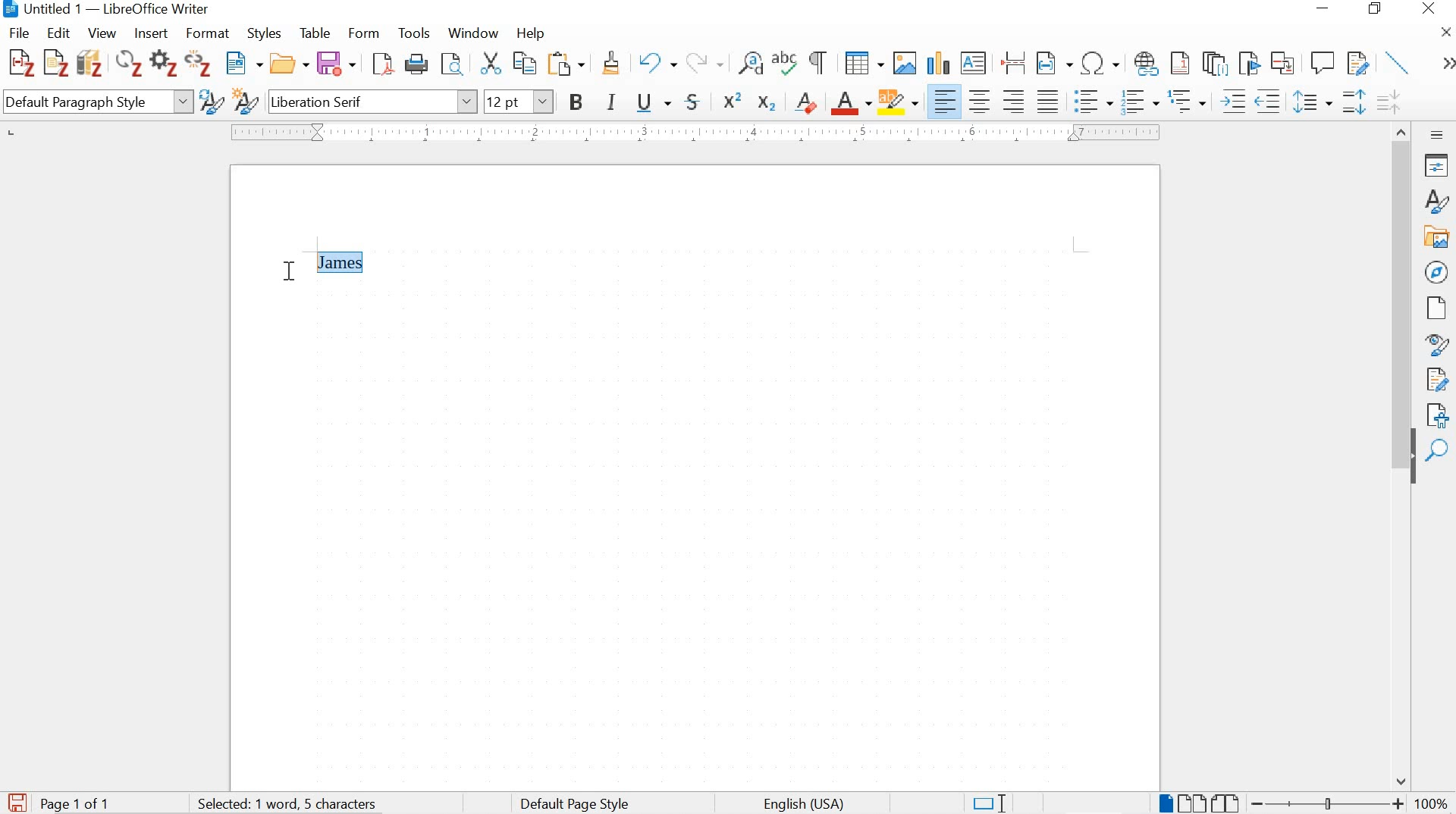 This screenshot has width=1456, height=814. Describe the element at coordinates (292, 804) in the screenshot. I see `1 word and 5 character` at that location.